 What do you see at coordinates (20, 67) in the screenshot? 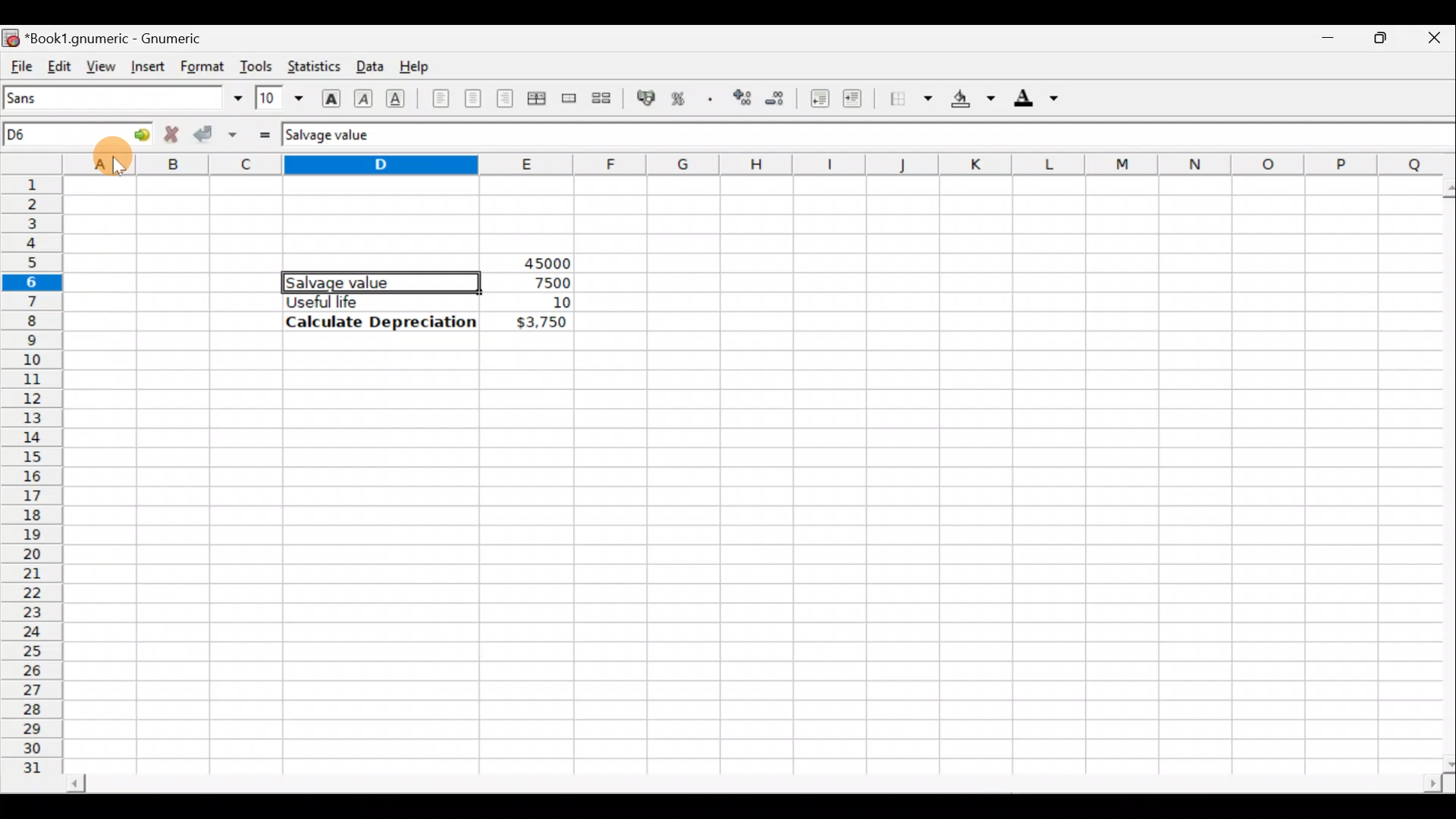
I see `File` at bounding box center [20, 67].